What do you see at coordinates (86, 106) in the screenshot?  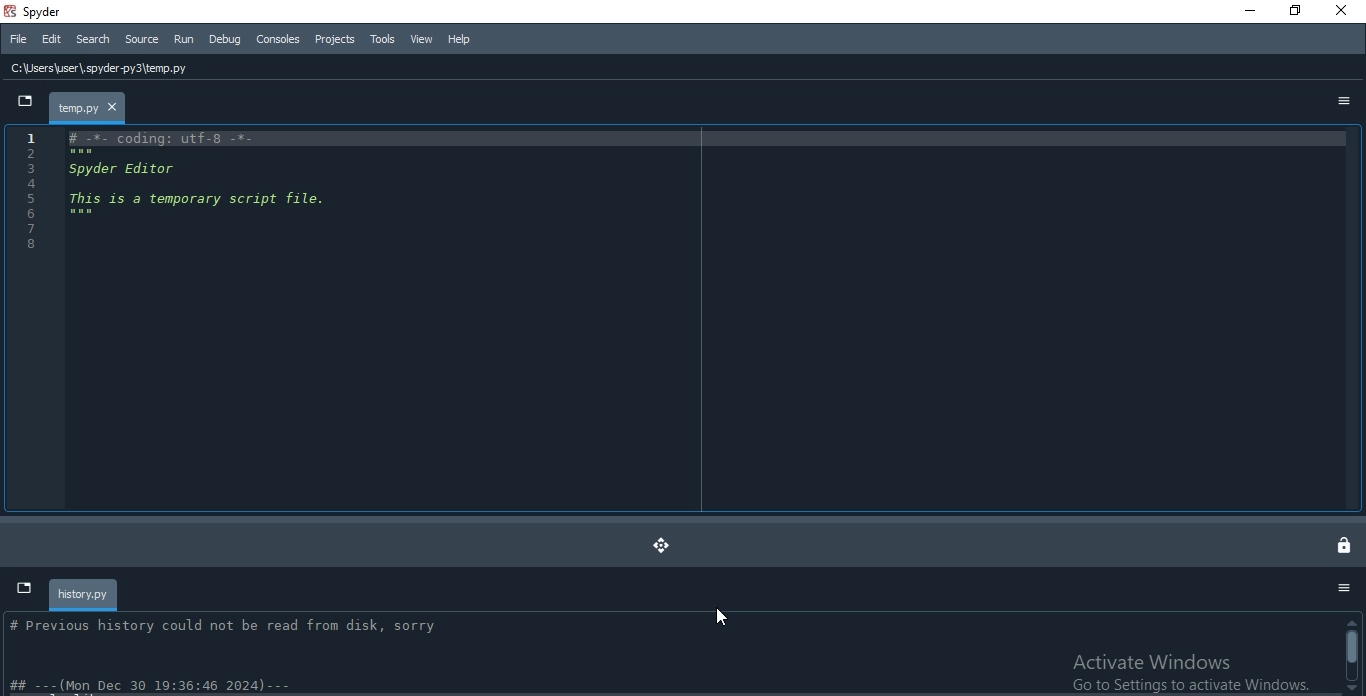 I see `file tab` at bounding box center [86, 106].